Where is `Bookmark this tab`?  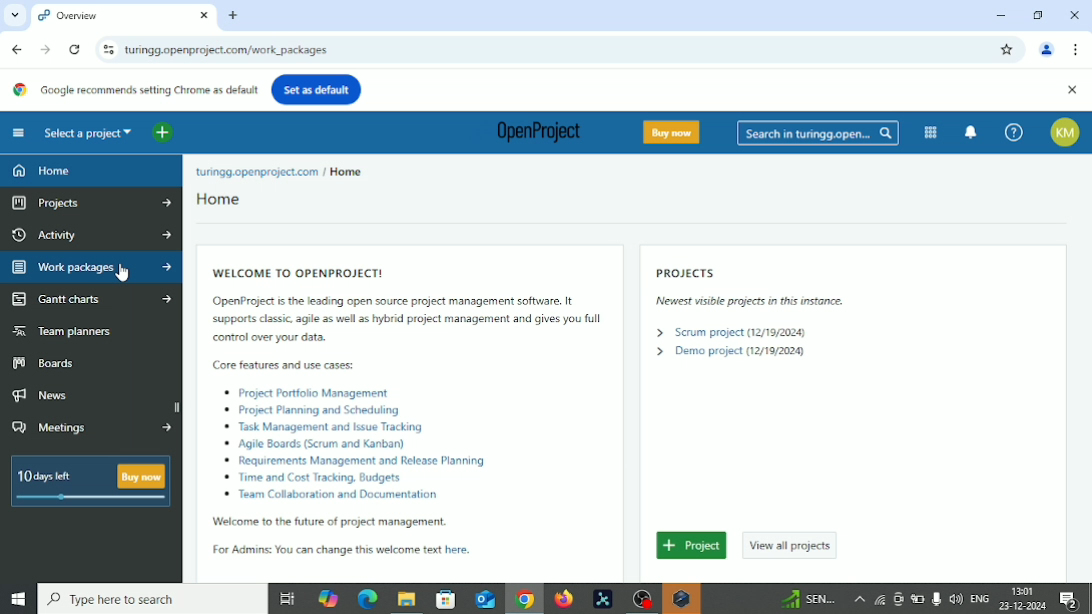 Bookmark this tab is located at coordinates (1007, 50).